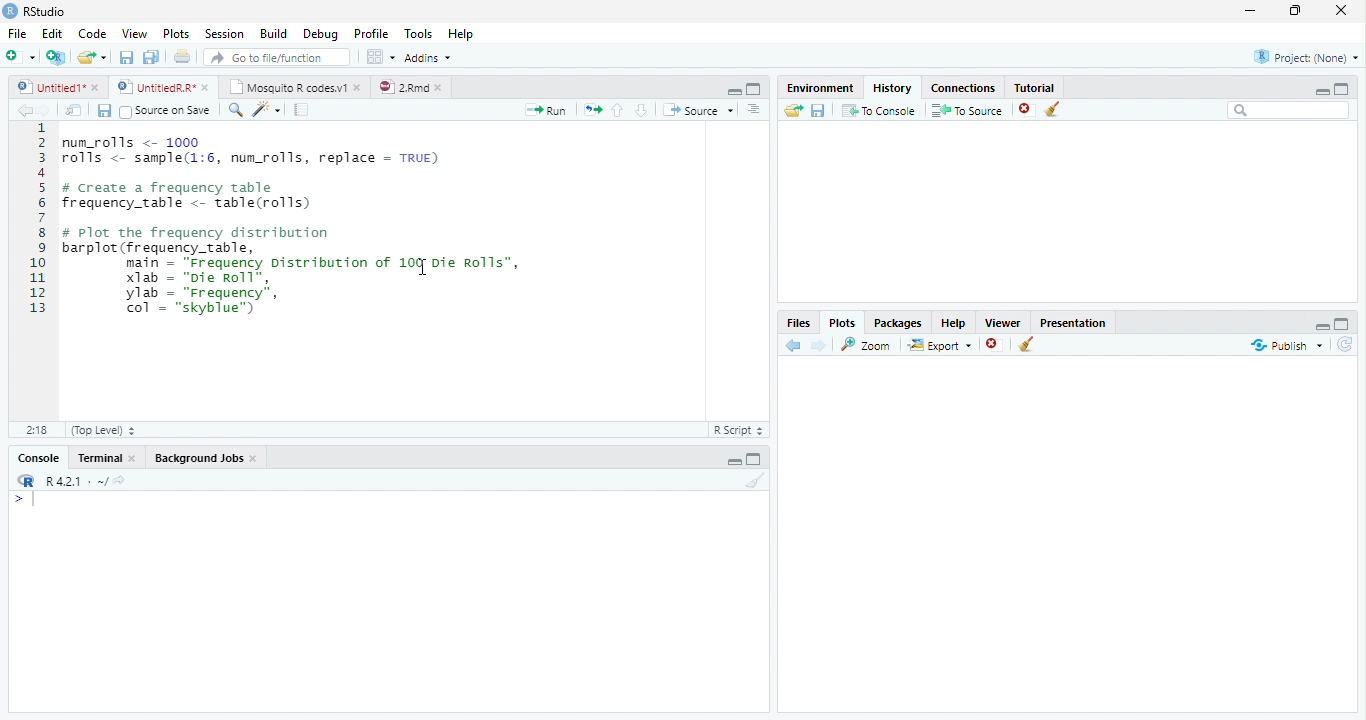  Describe the element at coordinates (165, 111) in the screenshot. I see `Source on Save` at that location.